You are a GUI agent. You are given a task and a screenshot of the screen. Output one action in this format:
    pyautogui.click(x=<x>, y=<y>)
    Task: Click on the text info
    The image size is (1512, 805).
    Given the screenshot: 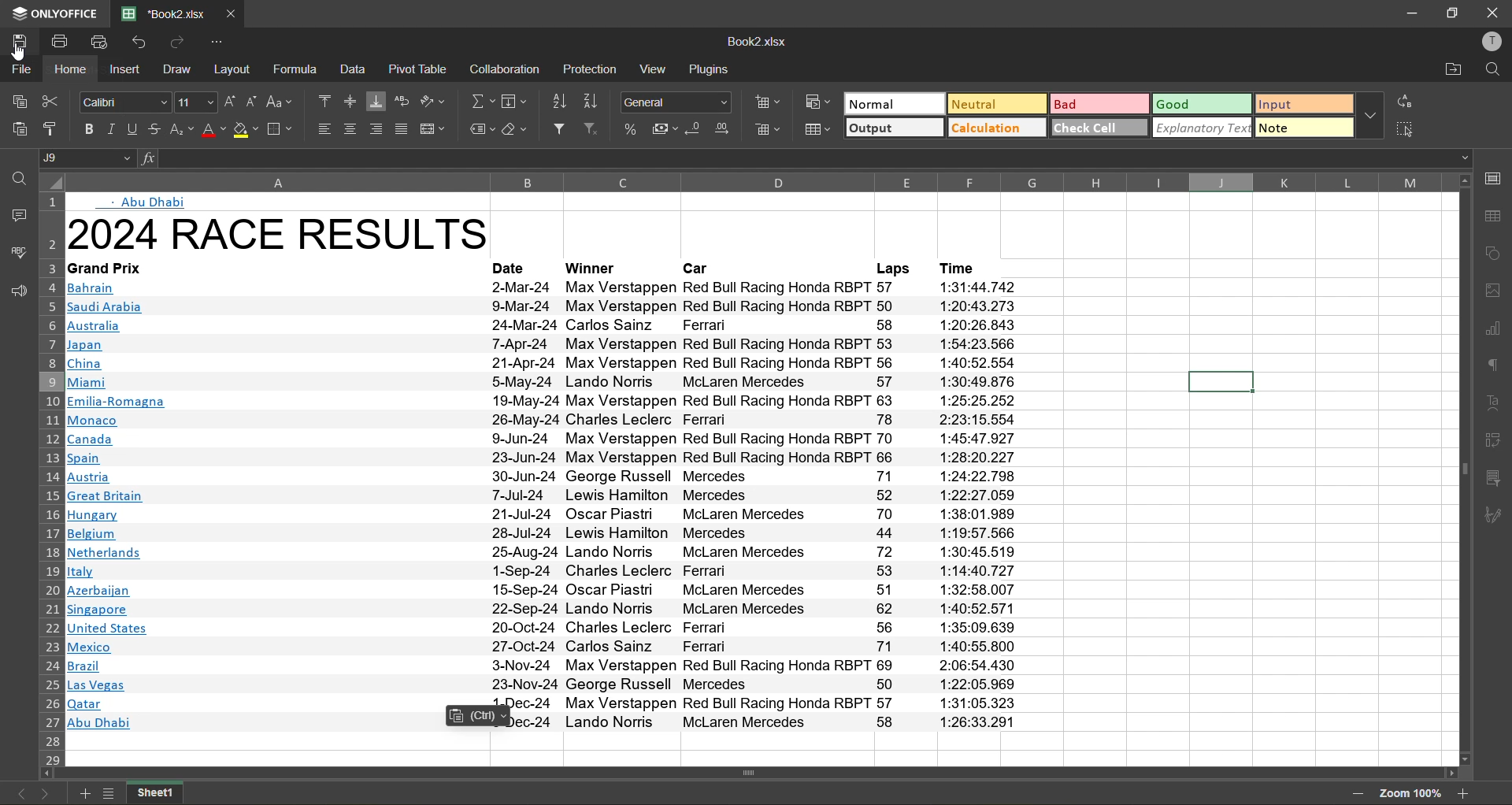 What is the action you would take?
    pyautogui.click(x=544, y=420)
    